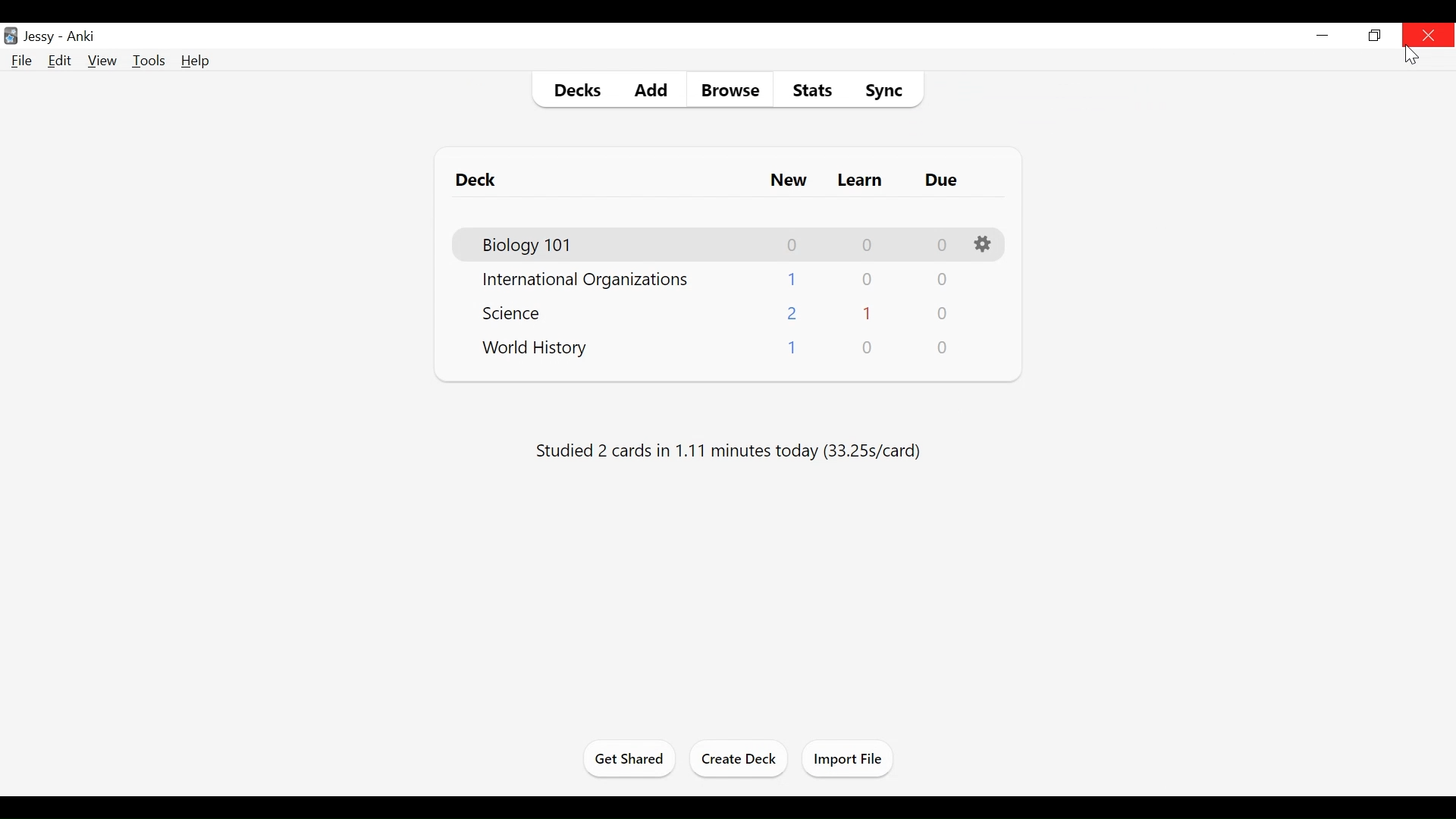 The height and width of the screenshot is (819, 1456). I want to click on User Name, so click(61, 35).